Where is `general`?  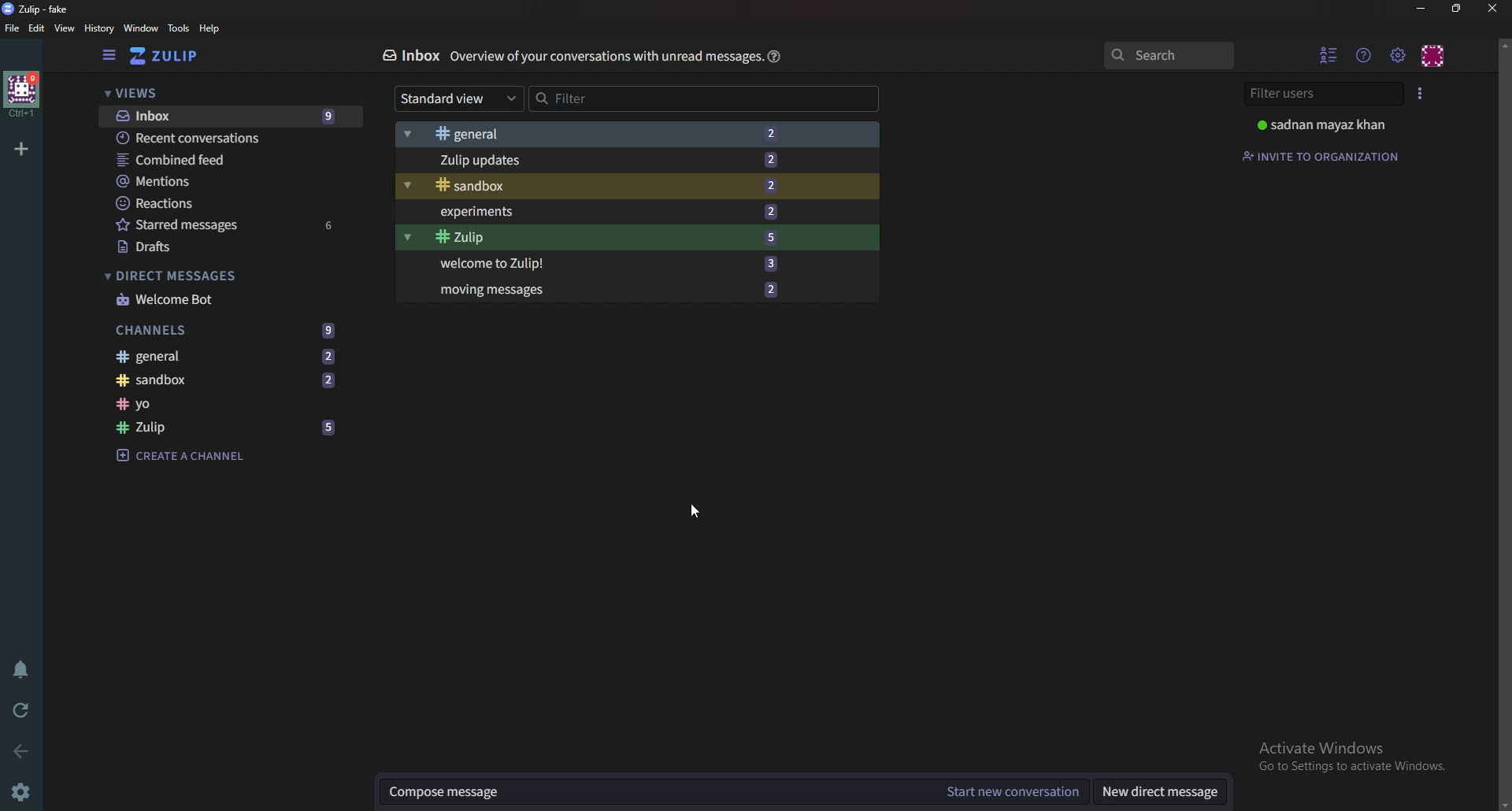
general is located at coordinates (230, 358).